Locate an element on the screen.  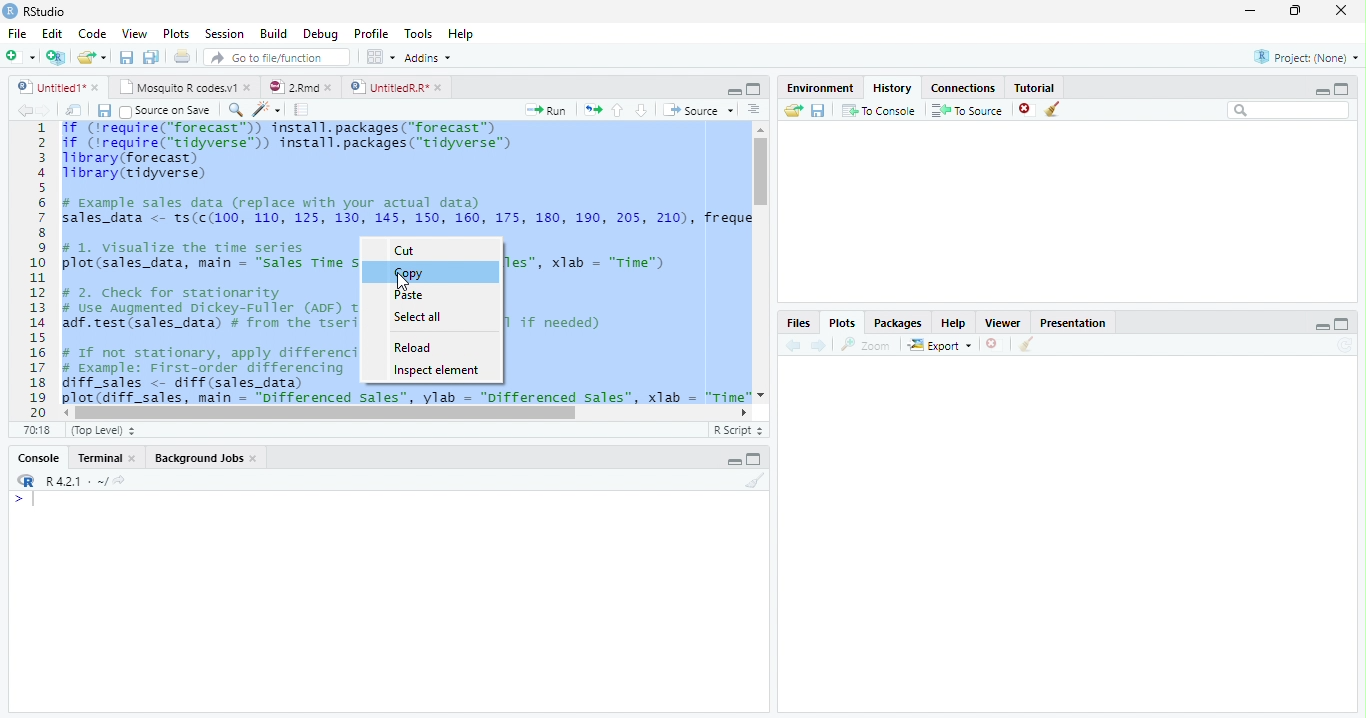
Terminal is located at coordinates (106, 457).